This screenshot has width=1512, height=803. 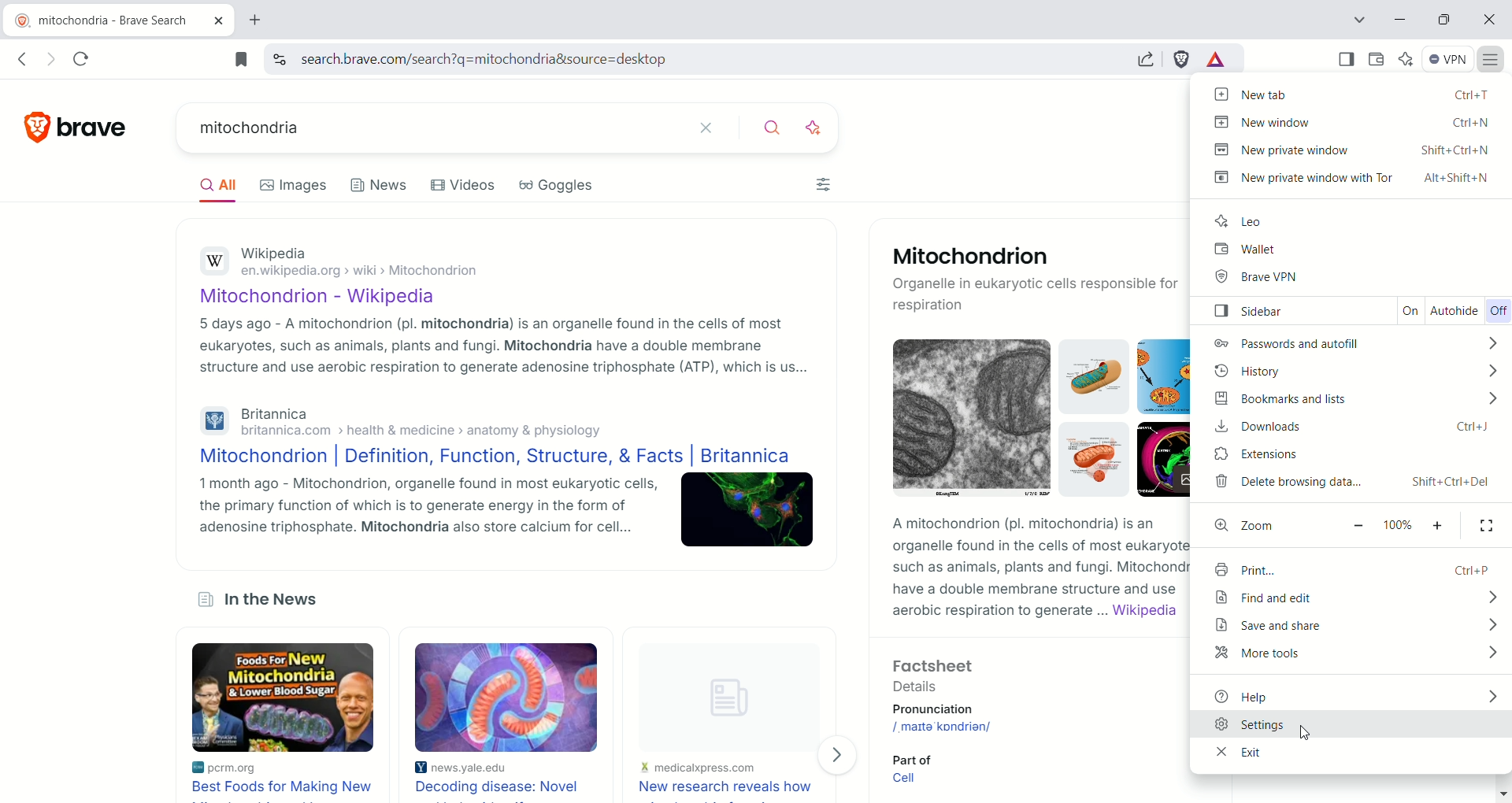 What do you see at coordinates (908, 775) in the screenshot?
I see `Part of Cell` at bounding box center [908, 775].